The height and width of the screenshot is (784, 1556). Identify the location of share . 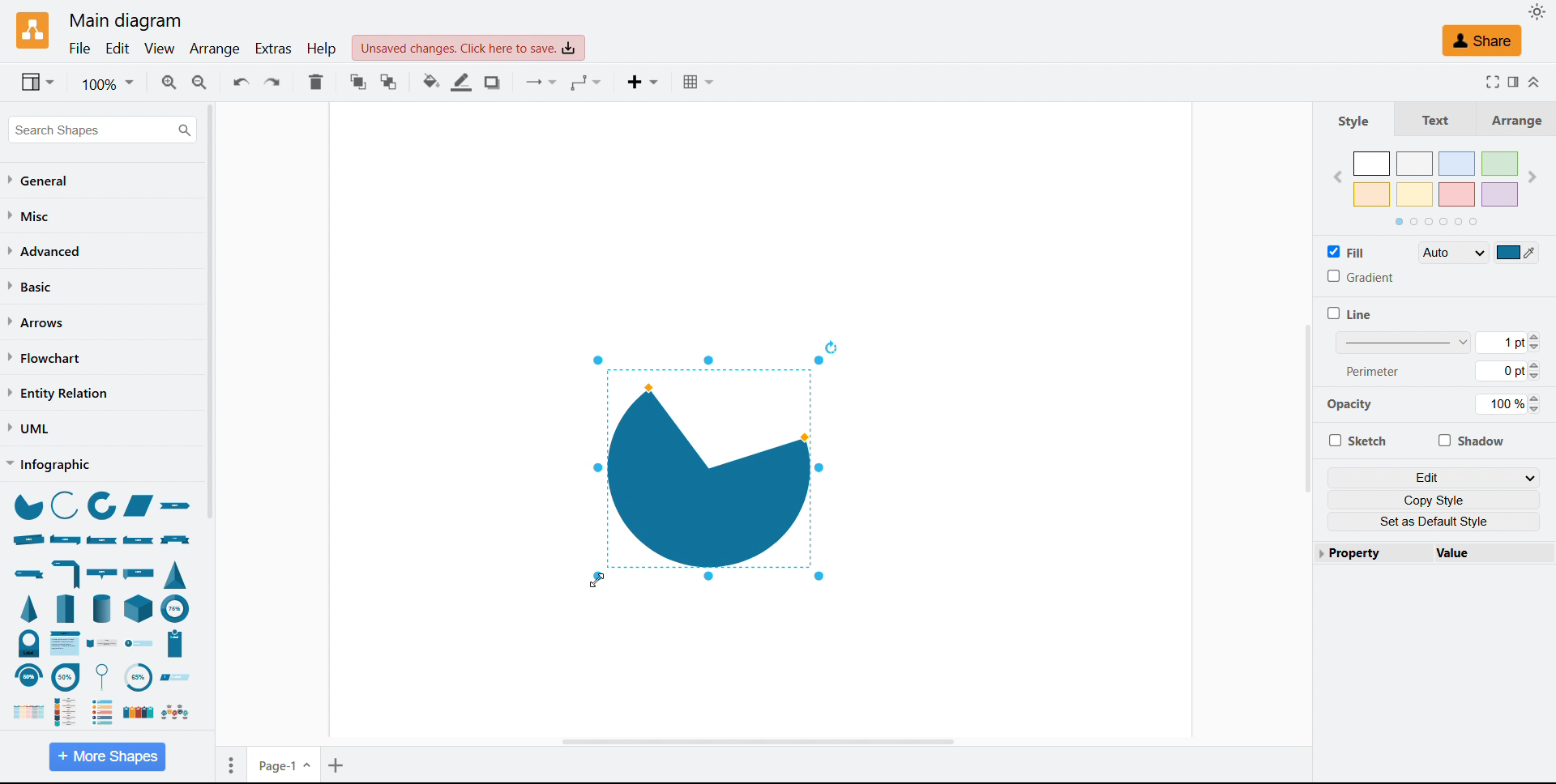
(1481, 40).